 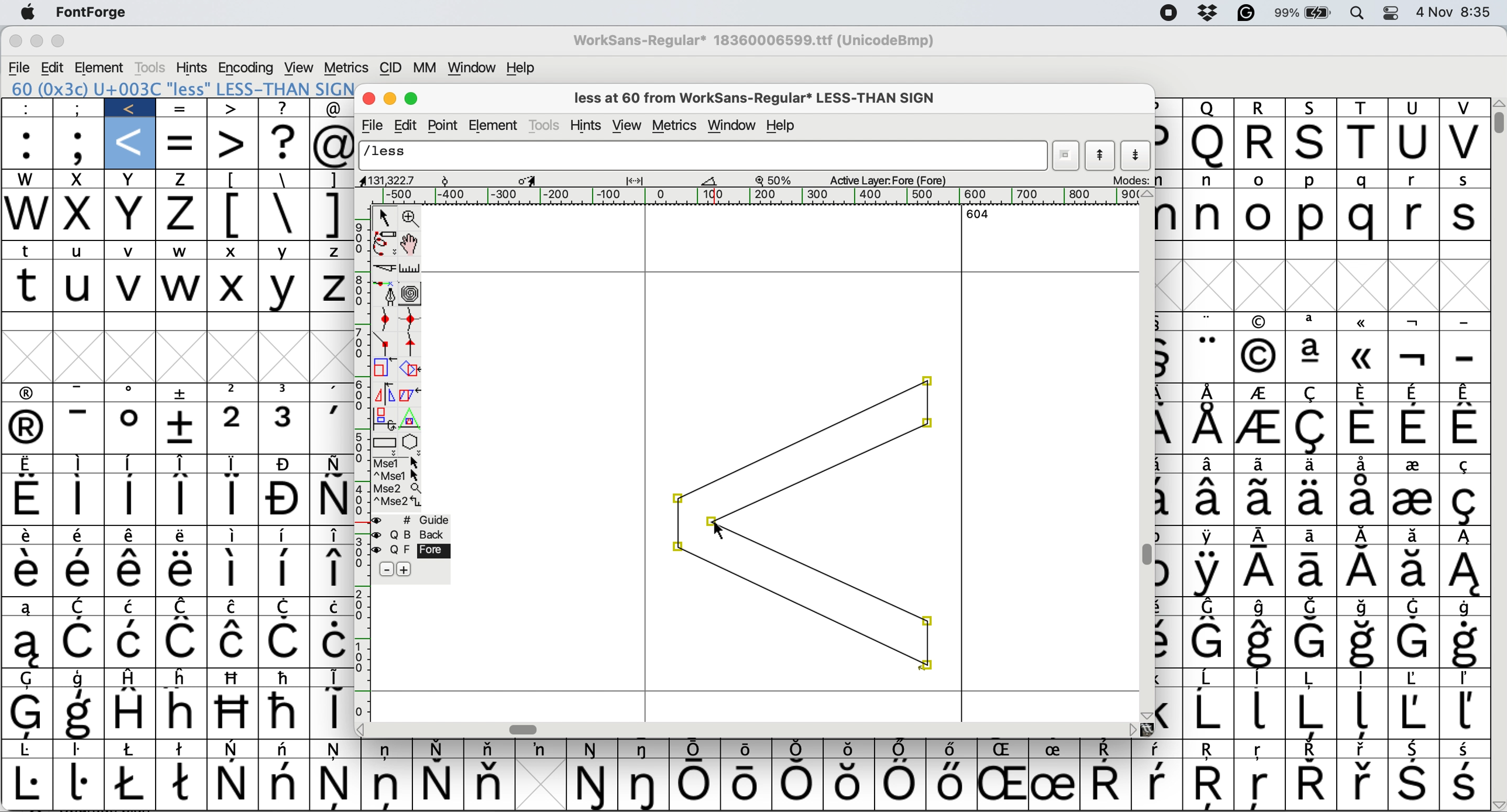 What do you see at coordinates (675, 126) in the screenshot?
I see `metrics` at bounding box center [675, 126].